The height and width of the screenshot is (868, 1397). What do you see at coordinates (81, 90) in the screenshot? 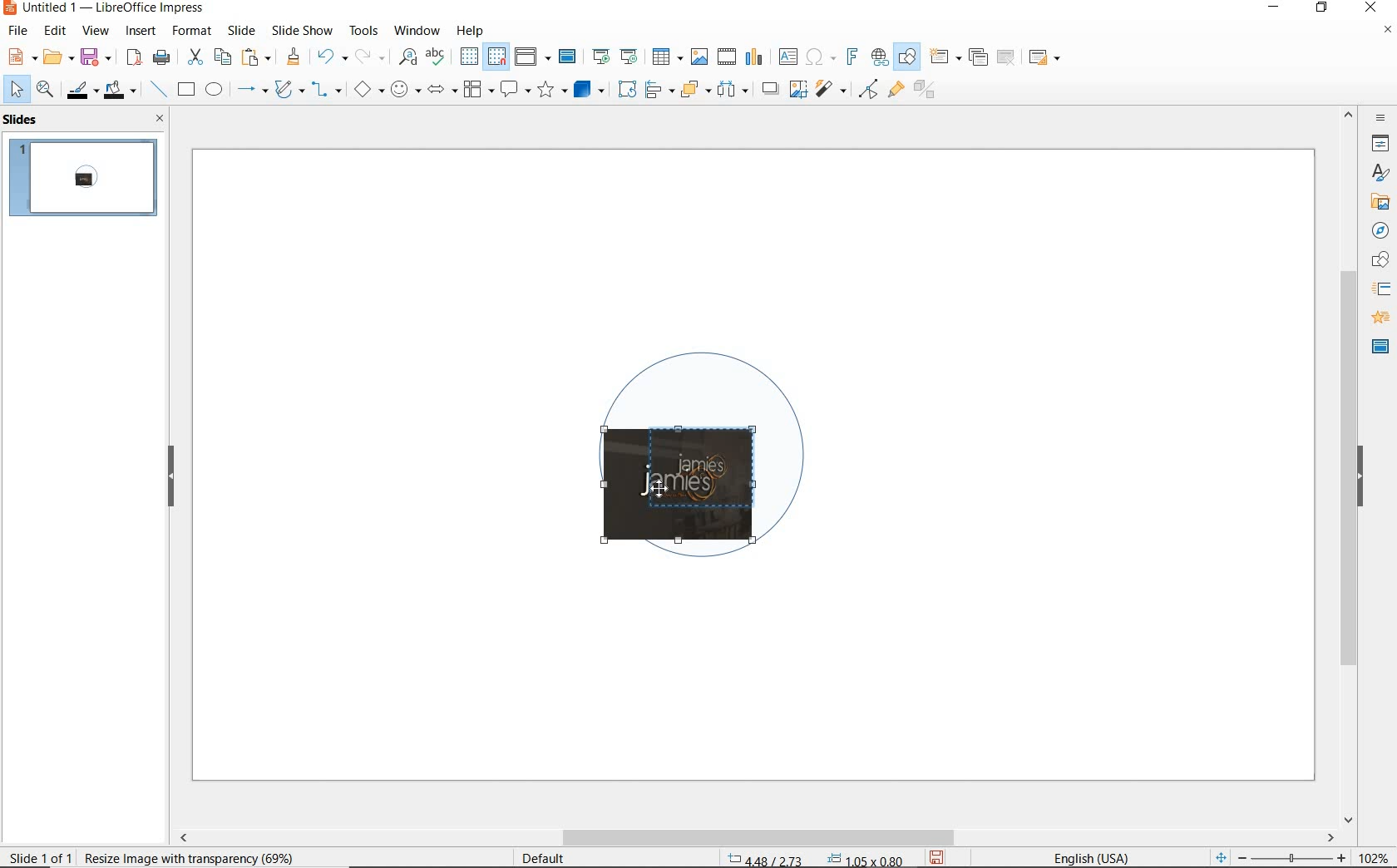
I see `line color` at bounding box center [81, 90].